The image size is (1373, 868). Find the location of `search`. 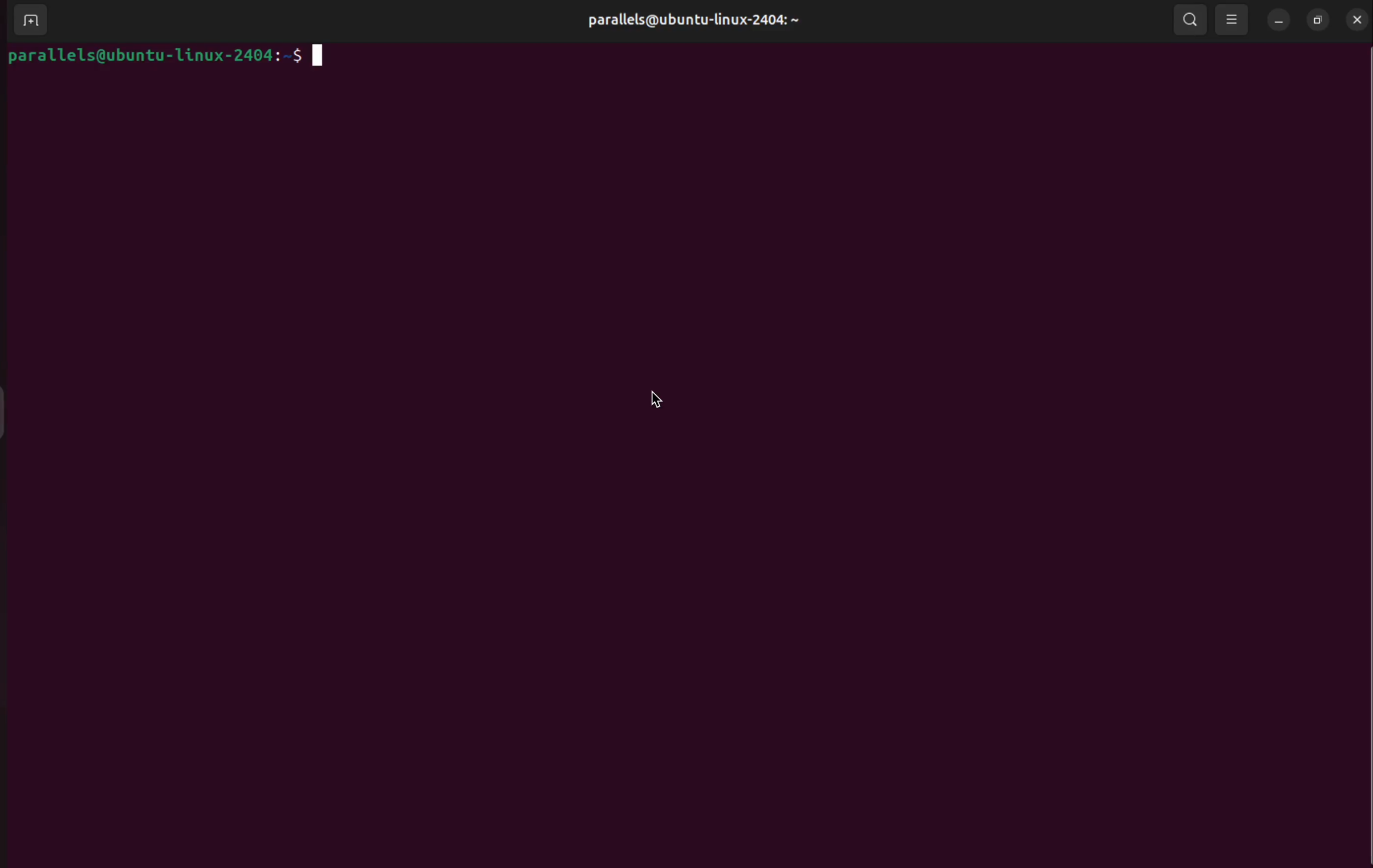

search is located at coordinates (1189, 19).